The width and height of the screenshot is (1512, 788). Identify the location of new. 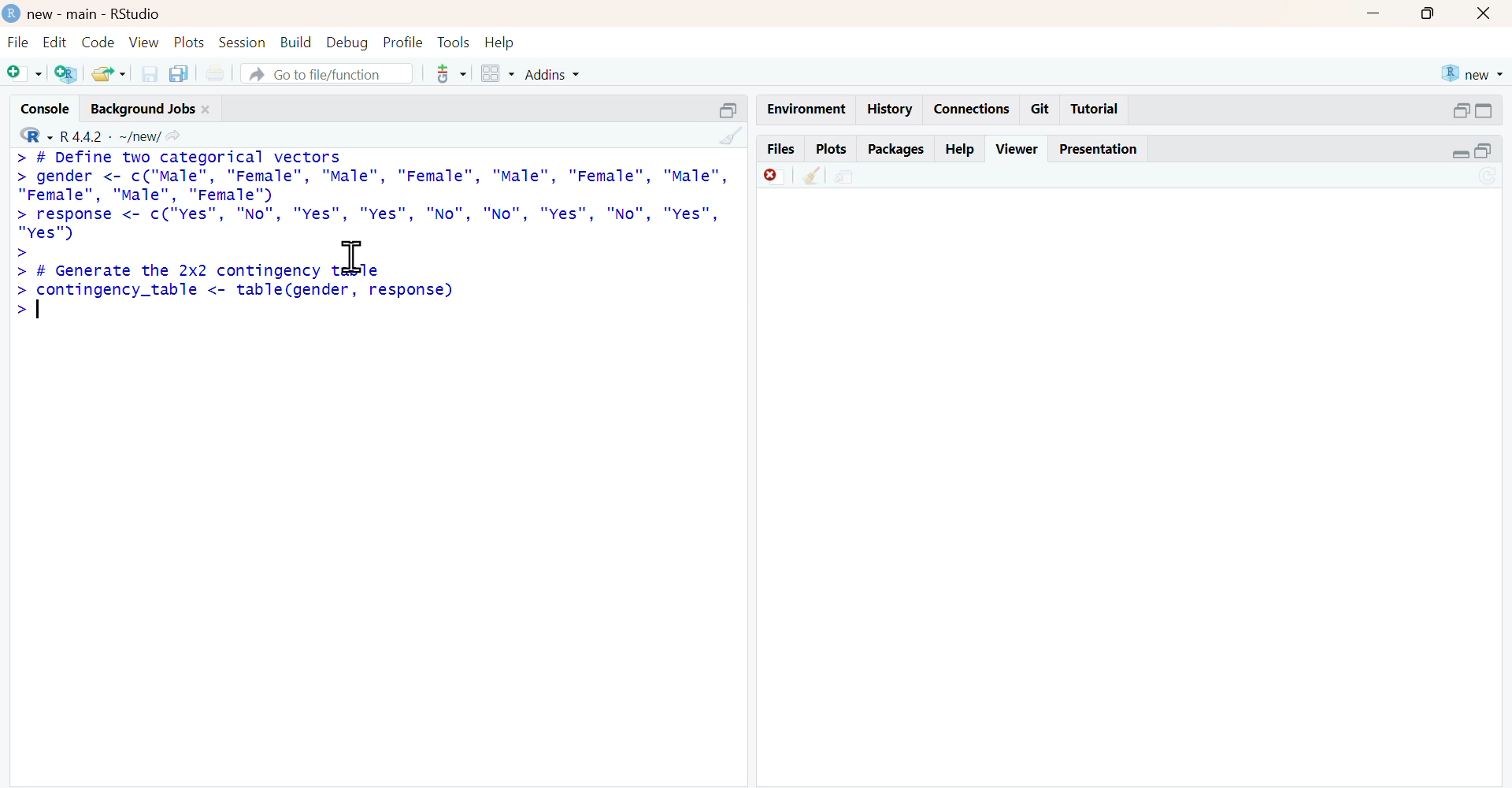
(1474, 74).